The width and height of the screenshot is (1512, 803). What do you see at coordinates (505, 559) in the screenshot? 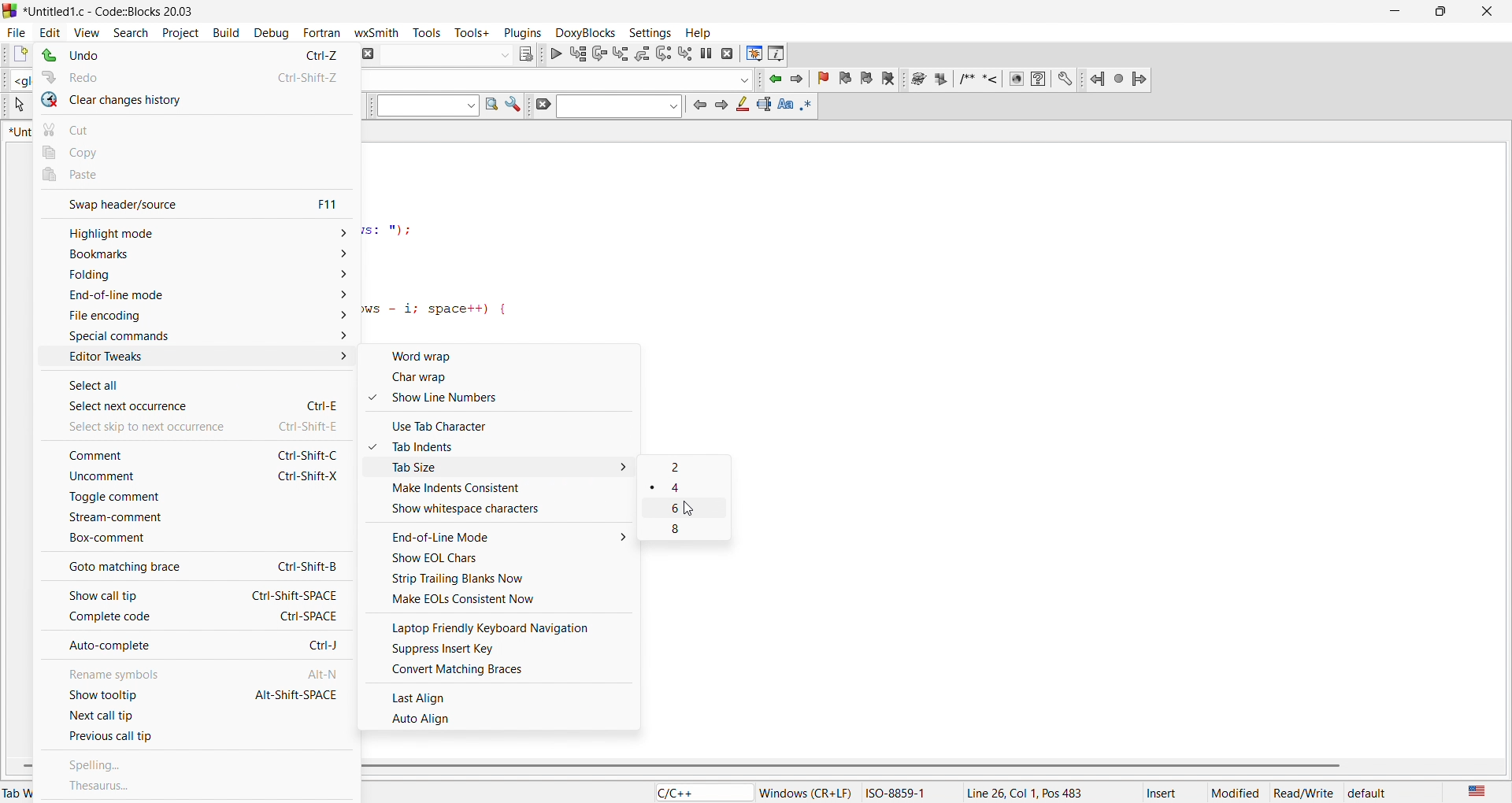
I see `show eol charts` at bounding box center [505, 559].